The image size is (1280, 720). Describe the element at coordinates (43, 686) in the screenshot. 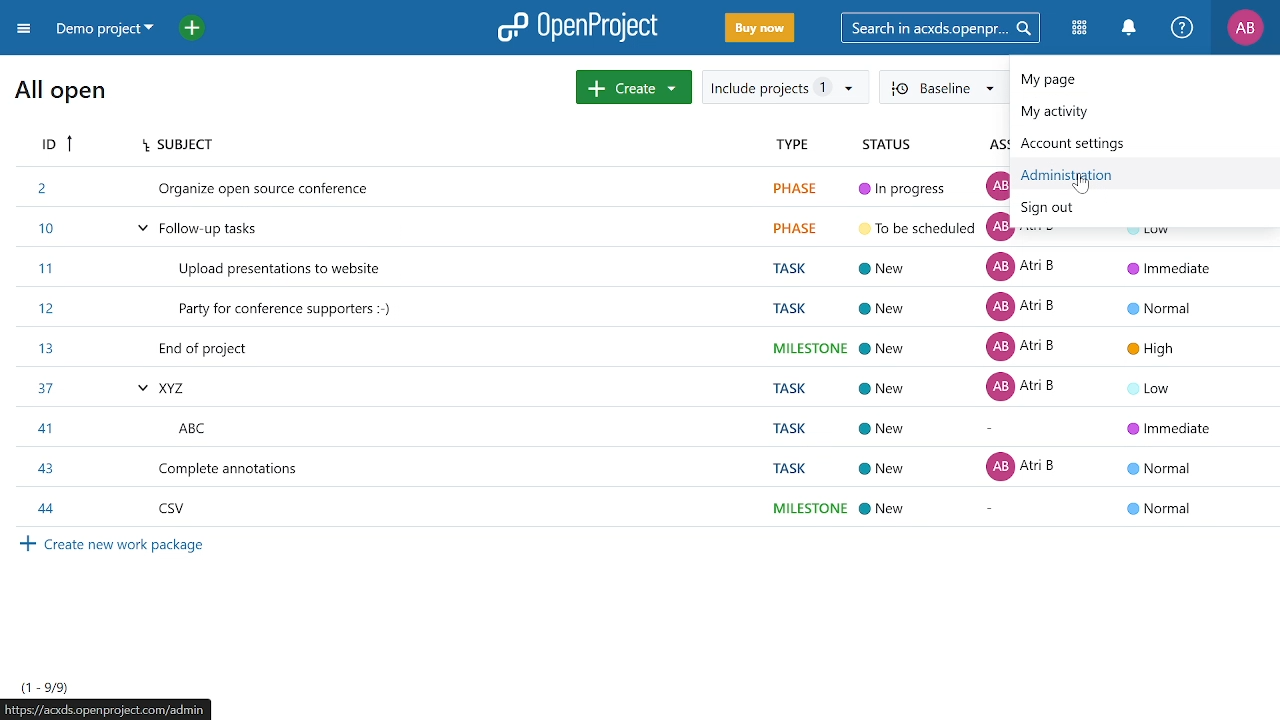

I see `Currently showing` at that location.